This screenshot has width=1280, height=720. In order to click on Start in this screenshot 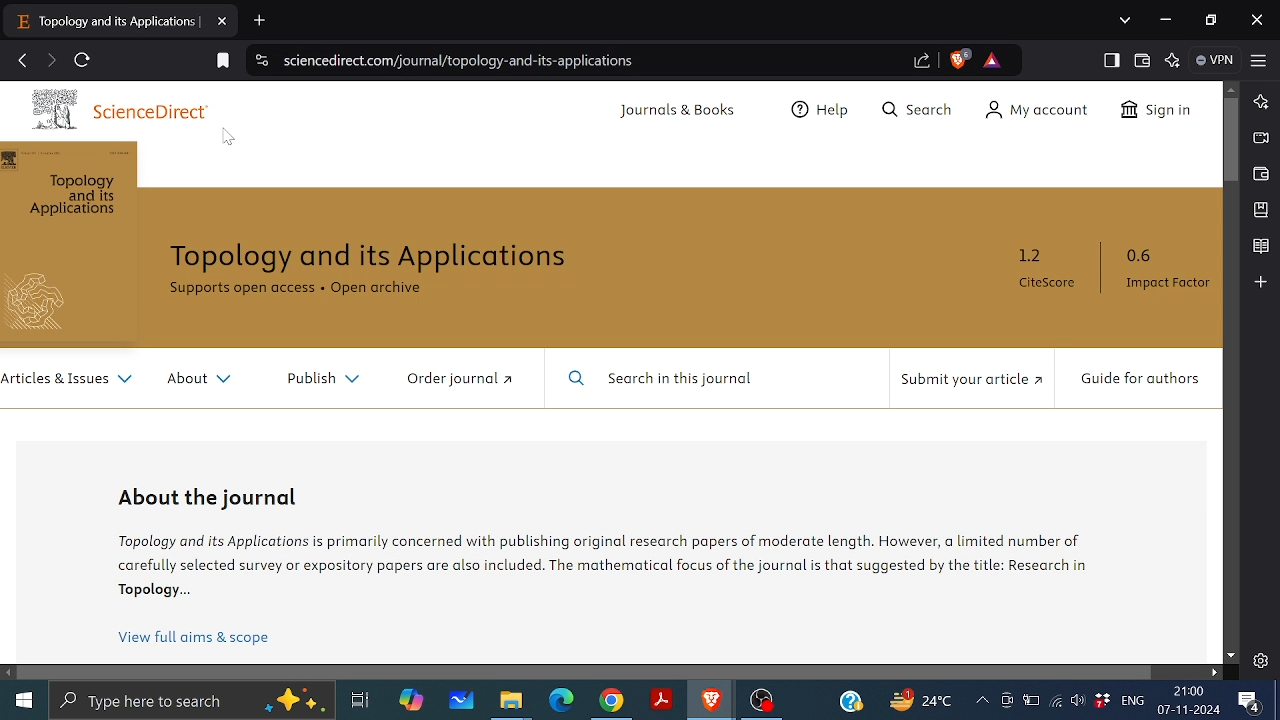, I will do `click(24, 701)`.